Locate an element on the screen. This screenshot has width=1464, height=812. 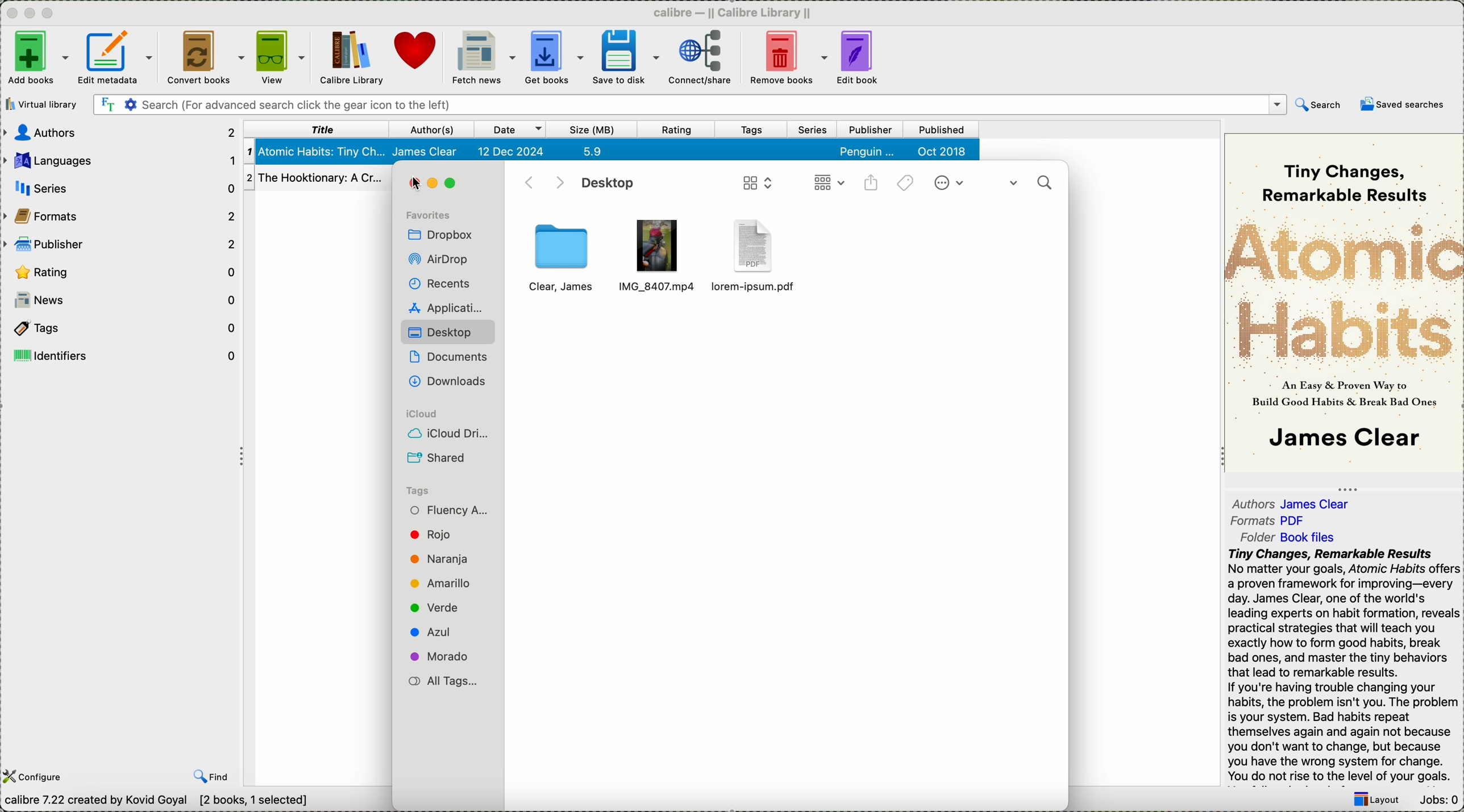
title is located at coordinates (317, 129).